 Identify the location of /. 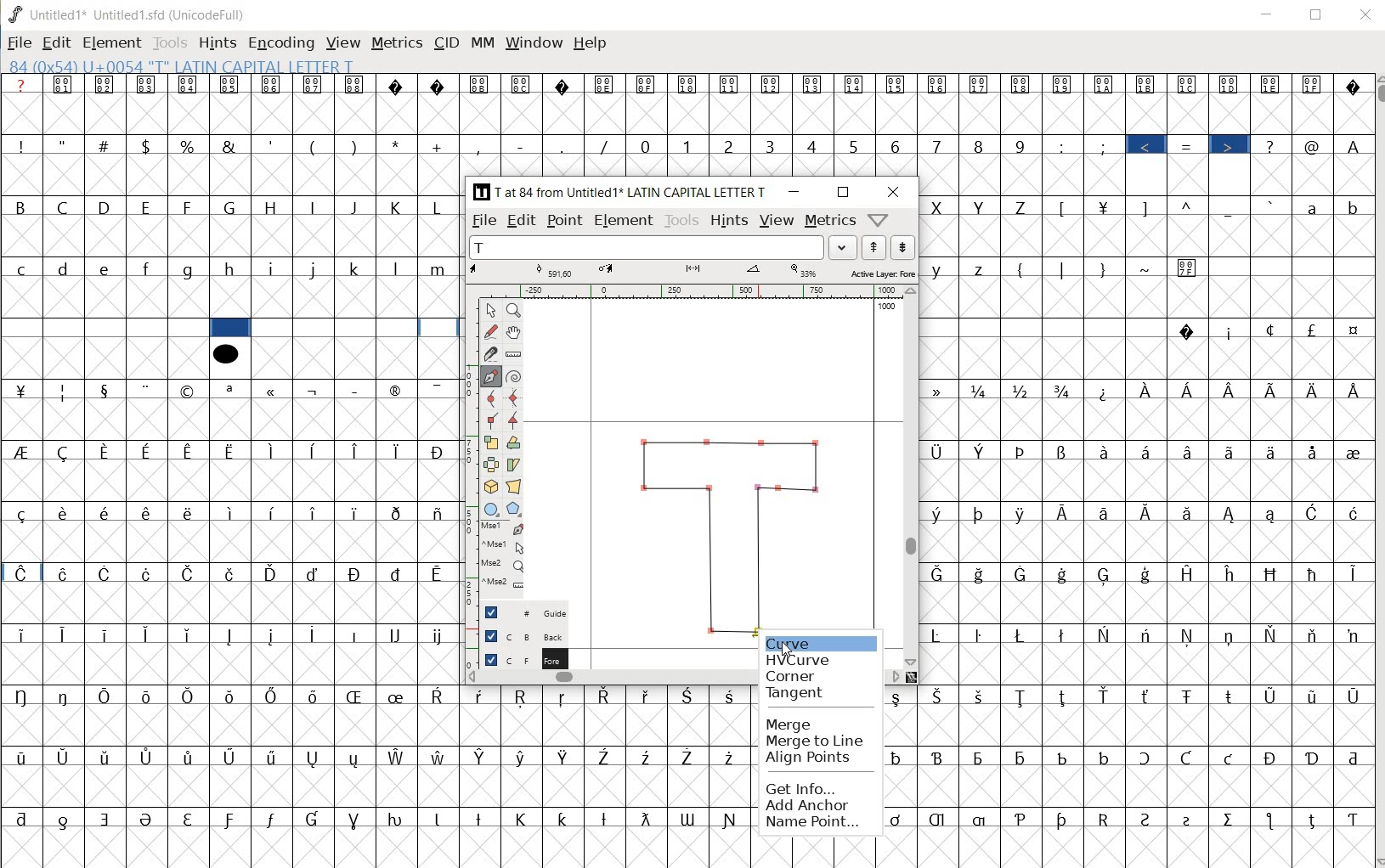
(606, 146).